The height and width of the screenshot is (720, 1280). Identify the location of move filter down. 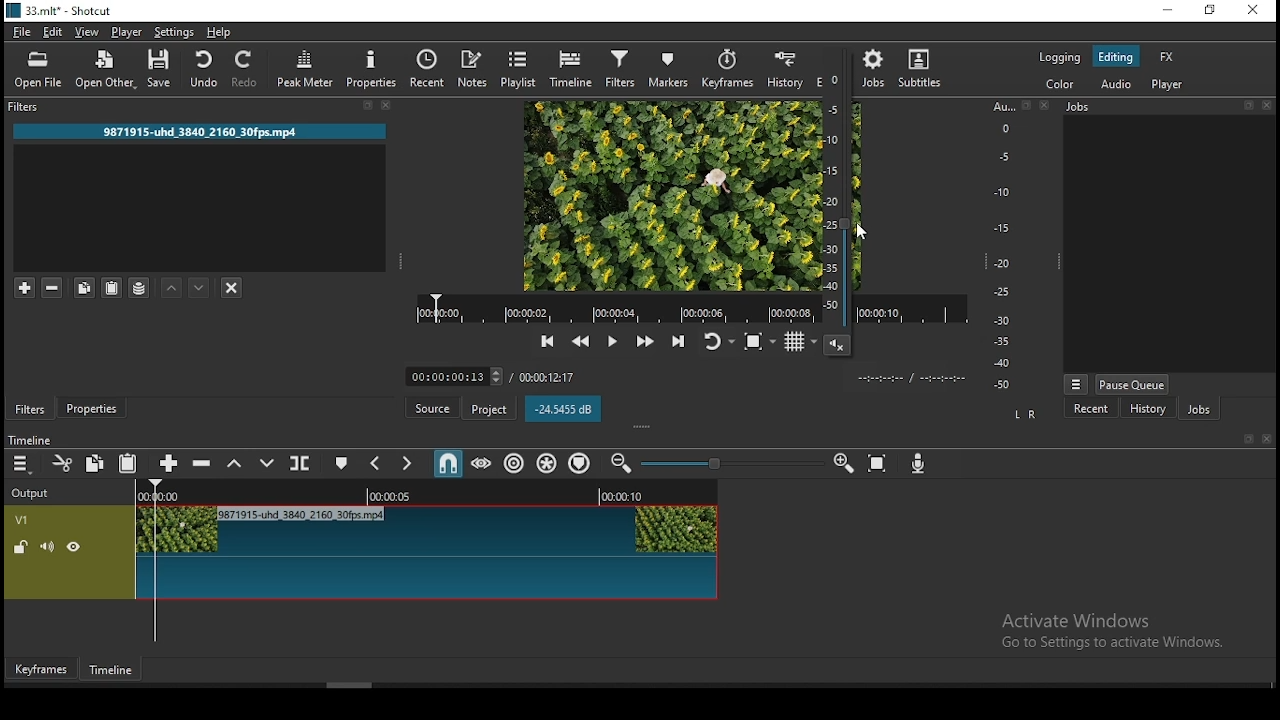
(201, 288).